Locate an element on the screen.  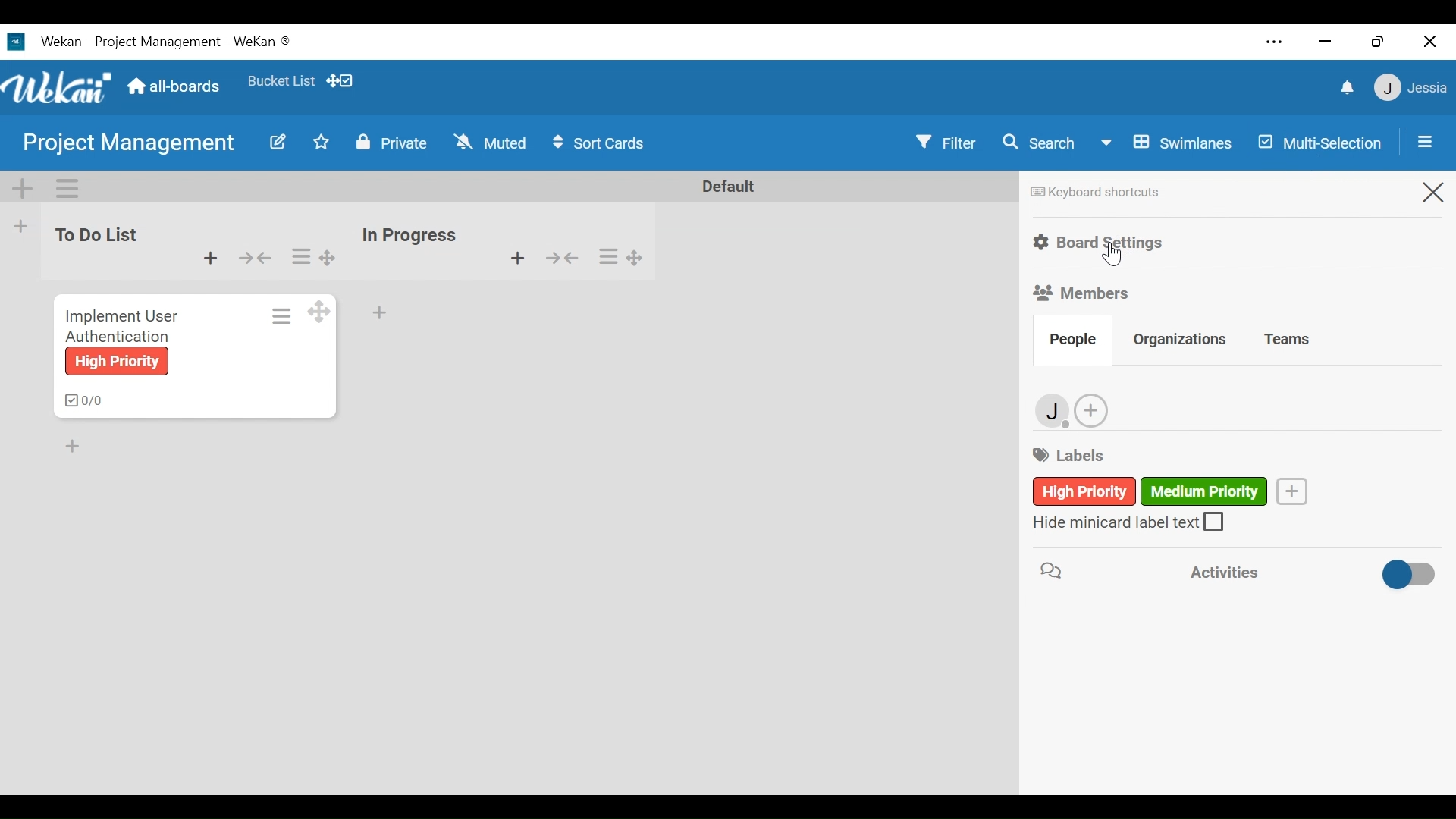
Add Swimlane is located at coordinates (24, 187).